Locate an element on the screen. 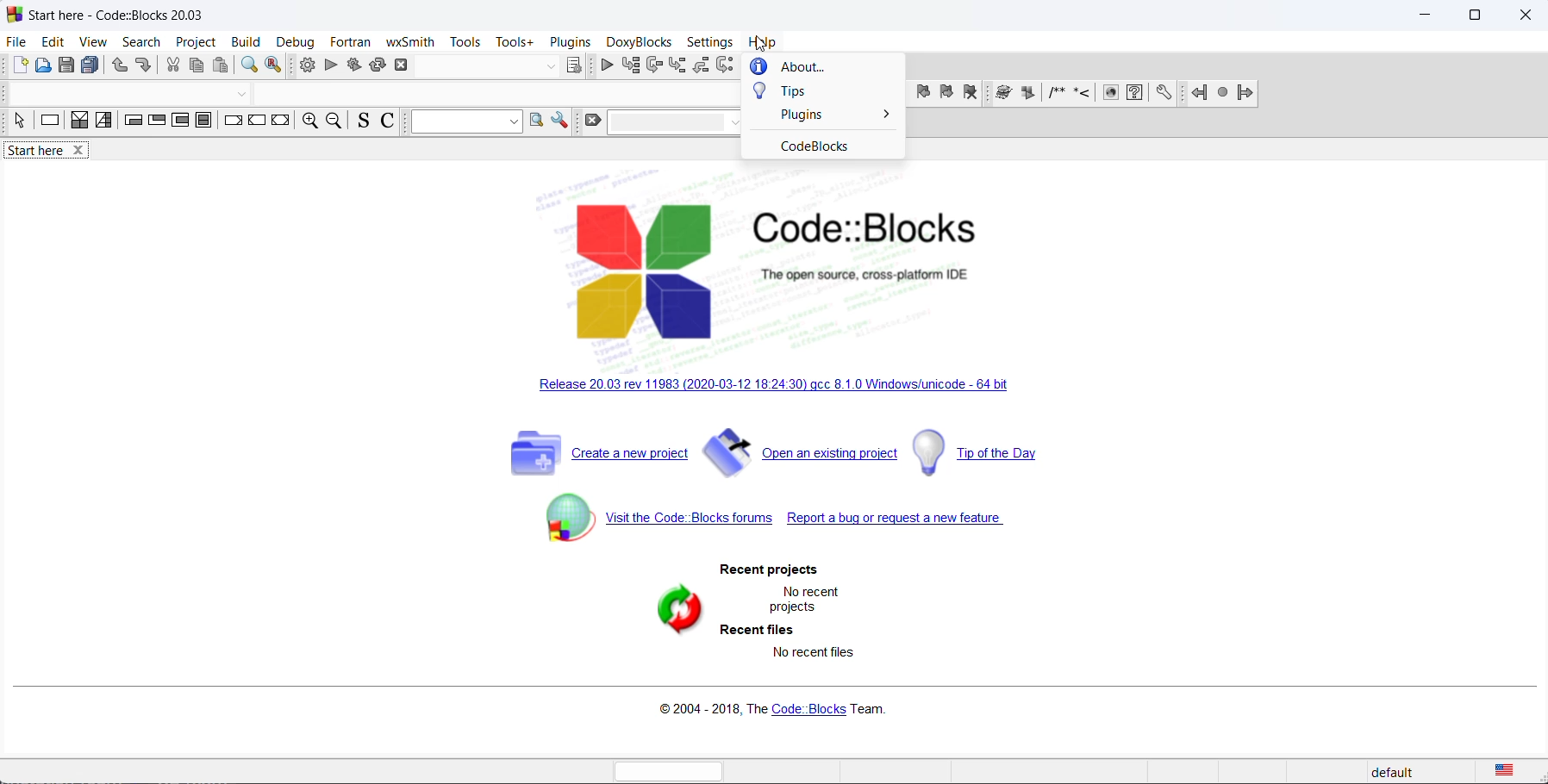 Image resolution: width=1548 pixels, height=784 pixels. block instruction is located at coordinates (203, 121).